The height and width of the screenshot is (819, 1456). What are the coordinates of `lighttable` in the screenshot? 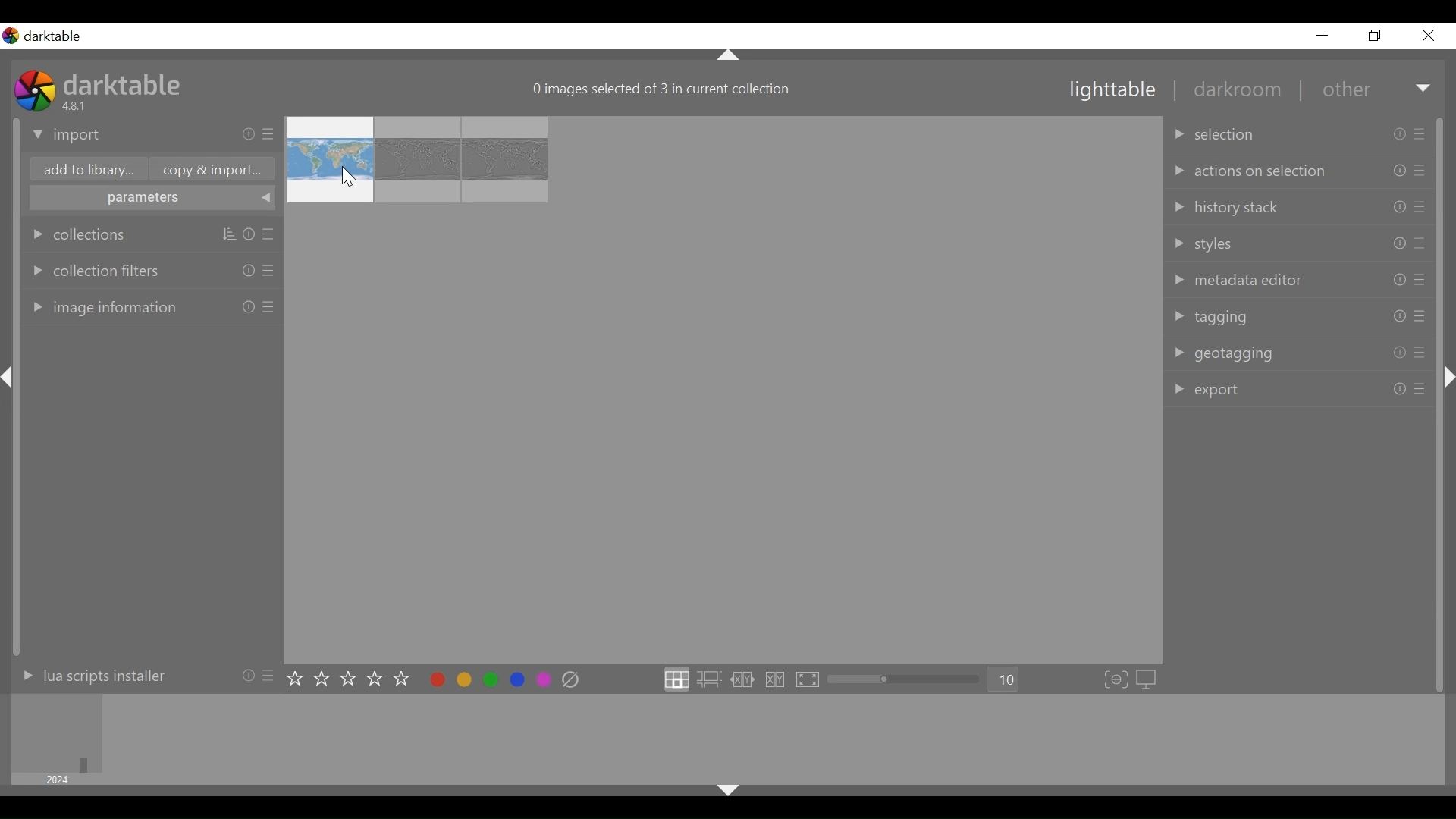 It's located at (1116, 91).